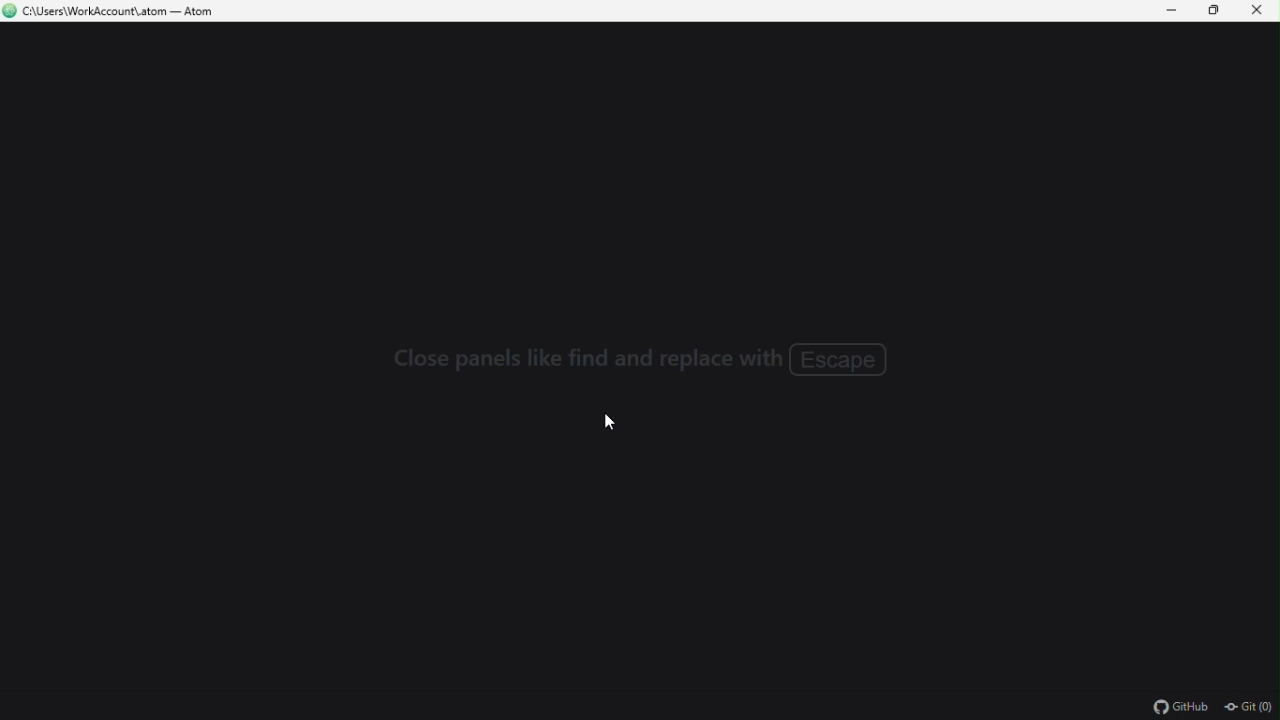 Image resolution: width=1280 pixels, height=720 pixels. Describe the element at coordinates (630, 360) in the screenshot. I see `Close panels like find and replace with escaped` at that location.